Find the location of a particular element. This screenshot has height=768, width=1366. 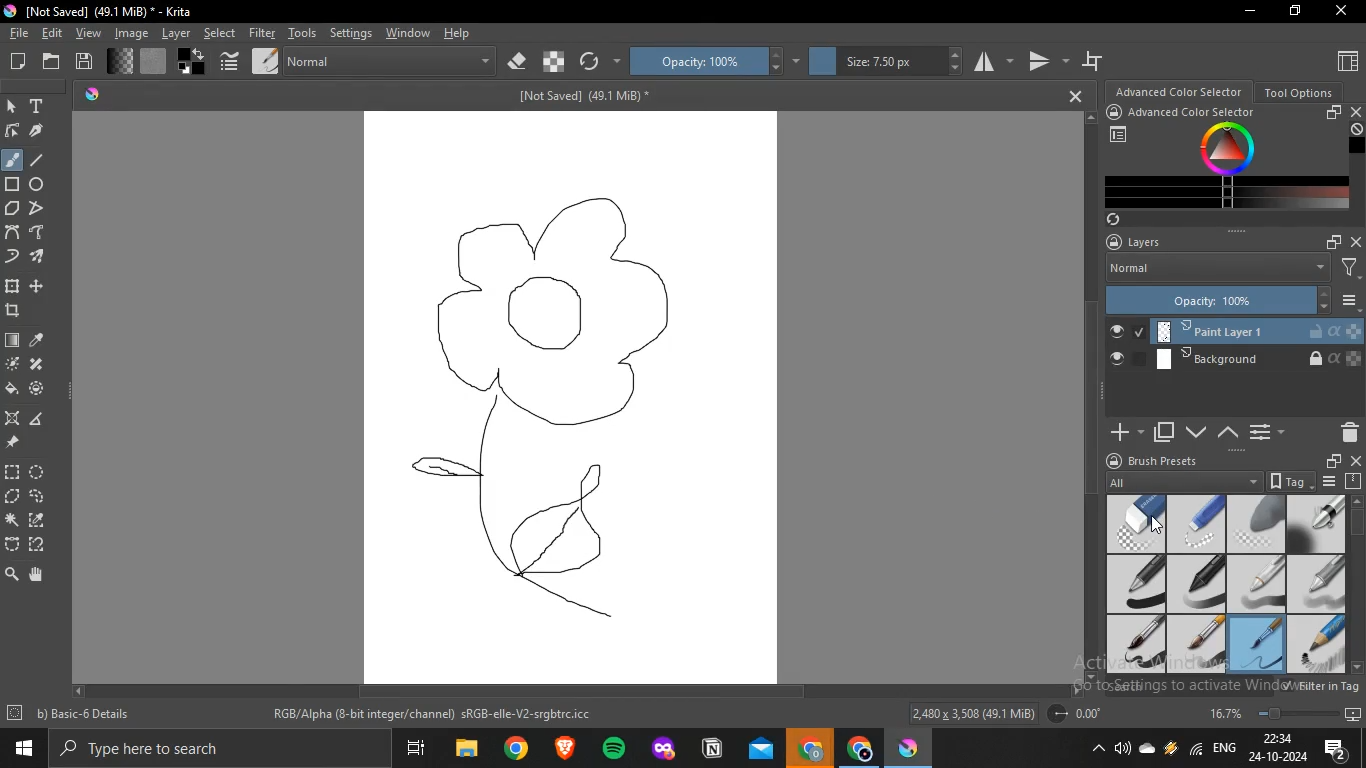

Minimize is located at coordinates (1252, 12).